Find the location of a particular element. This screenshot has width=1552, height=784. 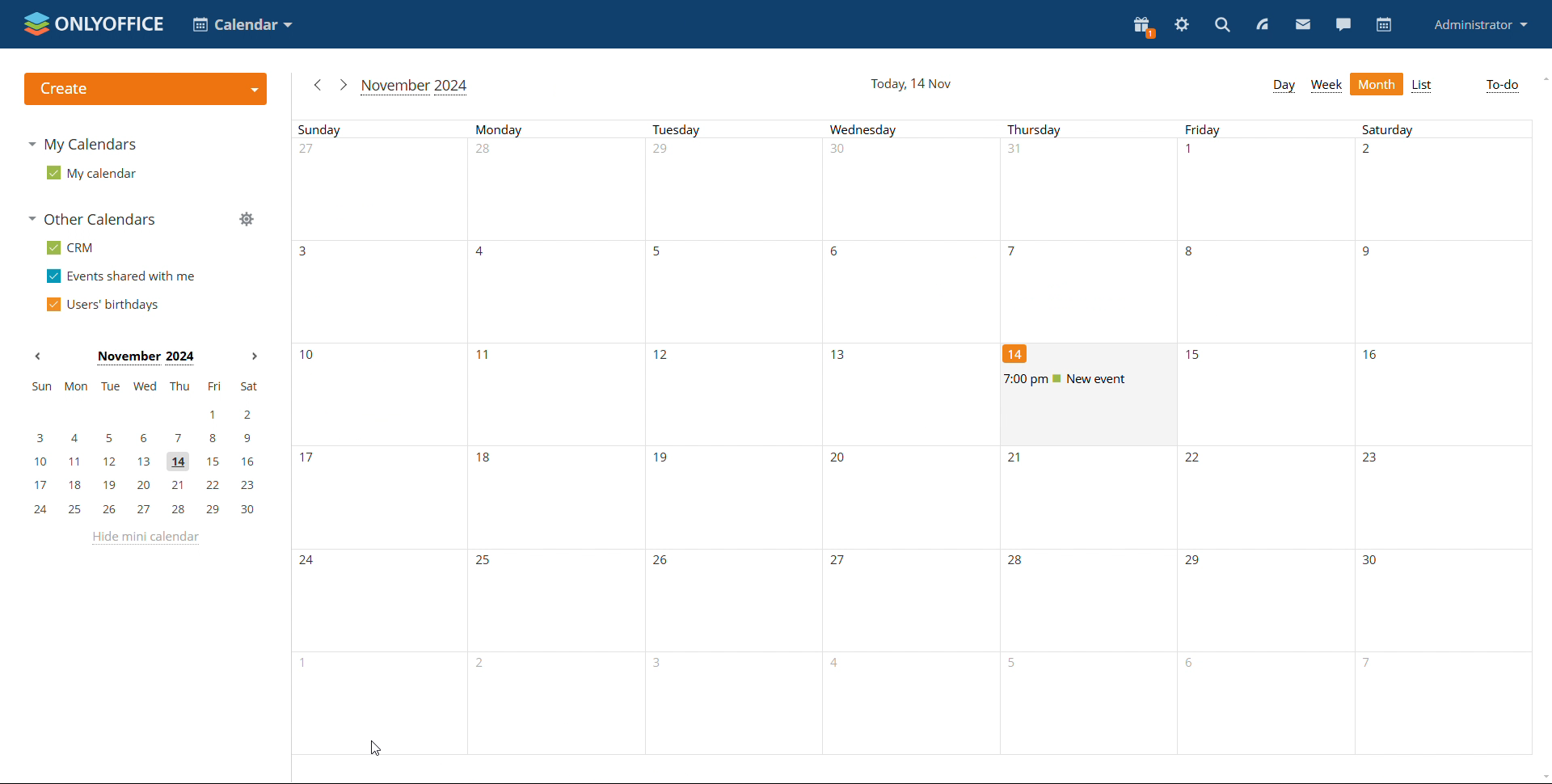

number is located at coordinates (1023, 153).